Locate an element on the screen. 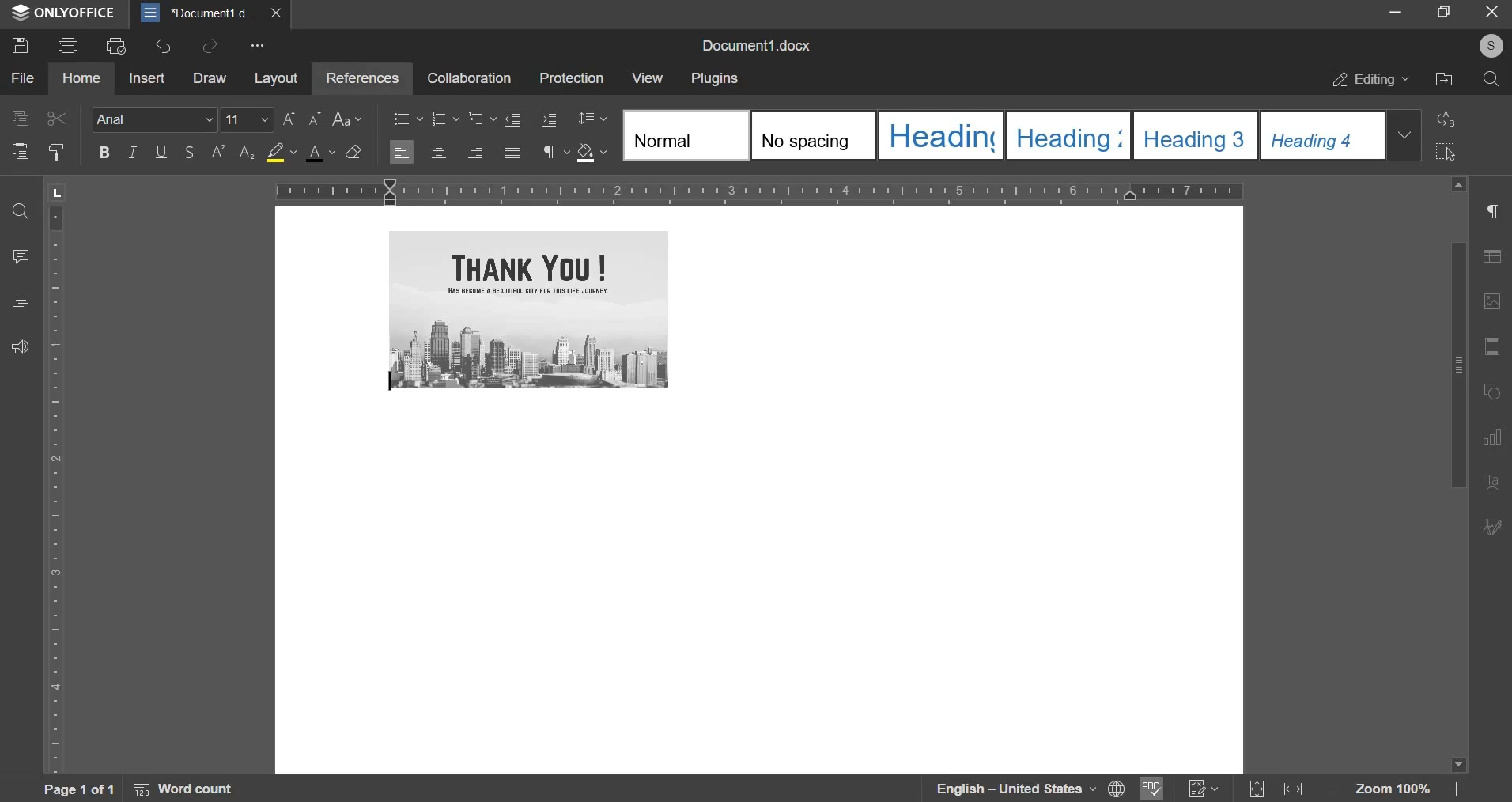 The image size is (1512, 802). subscript is located at coordinates (247, 153).